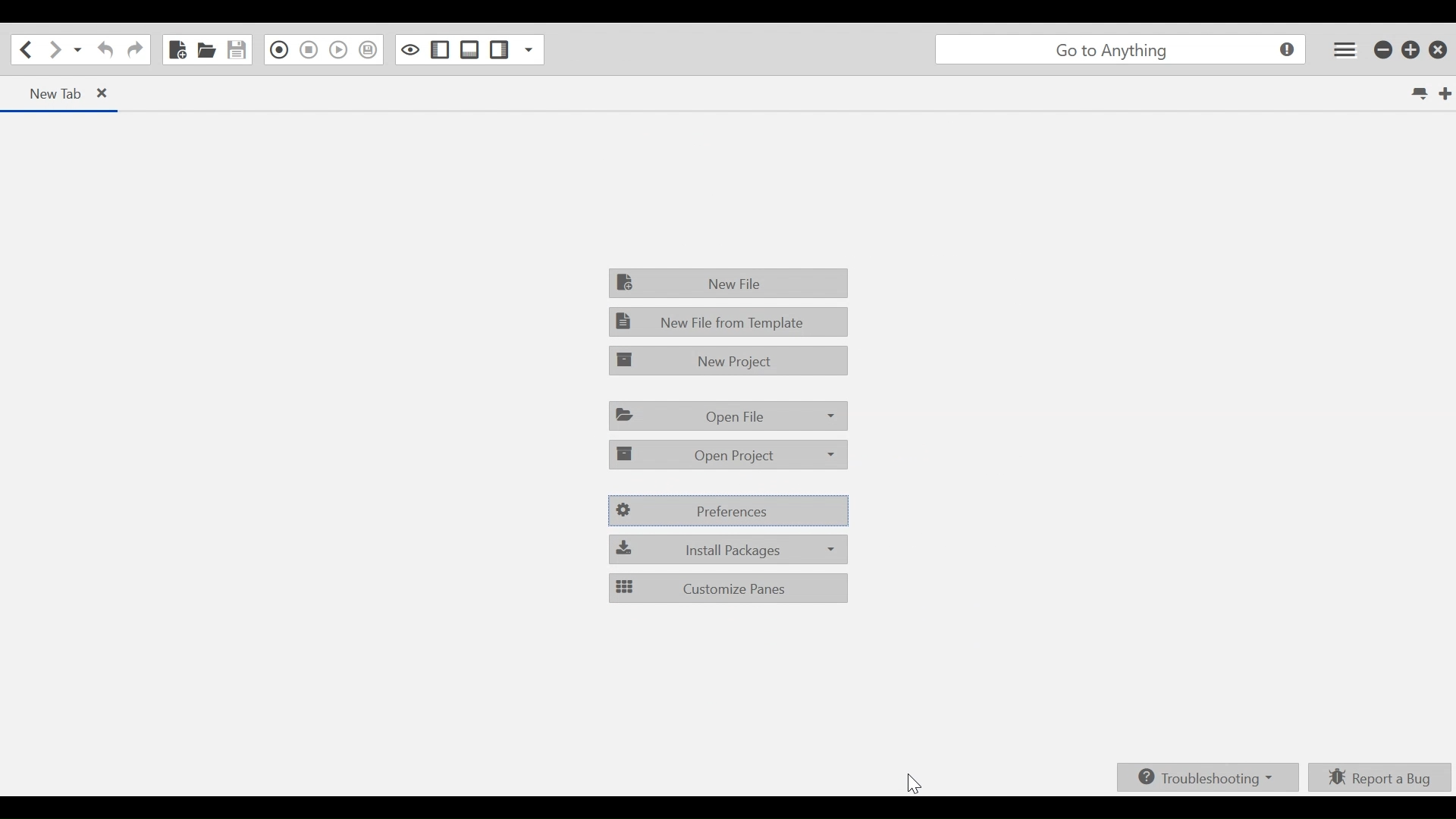 This screenshot has width=1456, height=819. What do you see at coordinates (134, 50) in the screenshot?
I see `Redo last action` at bounding box center [134, 50].